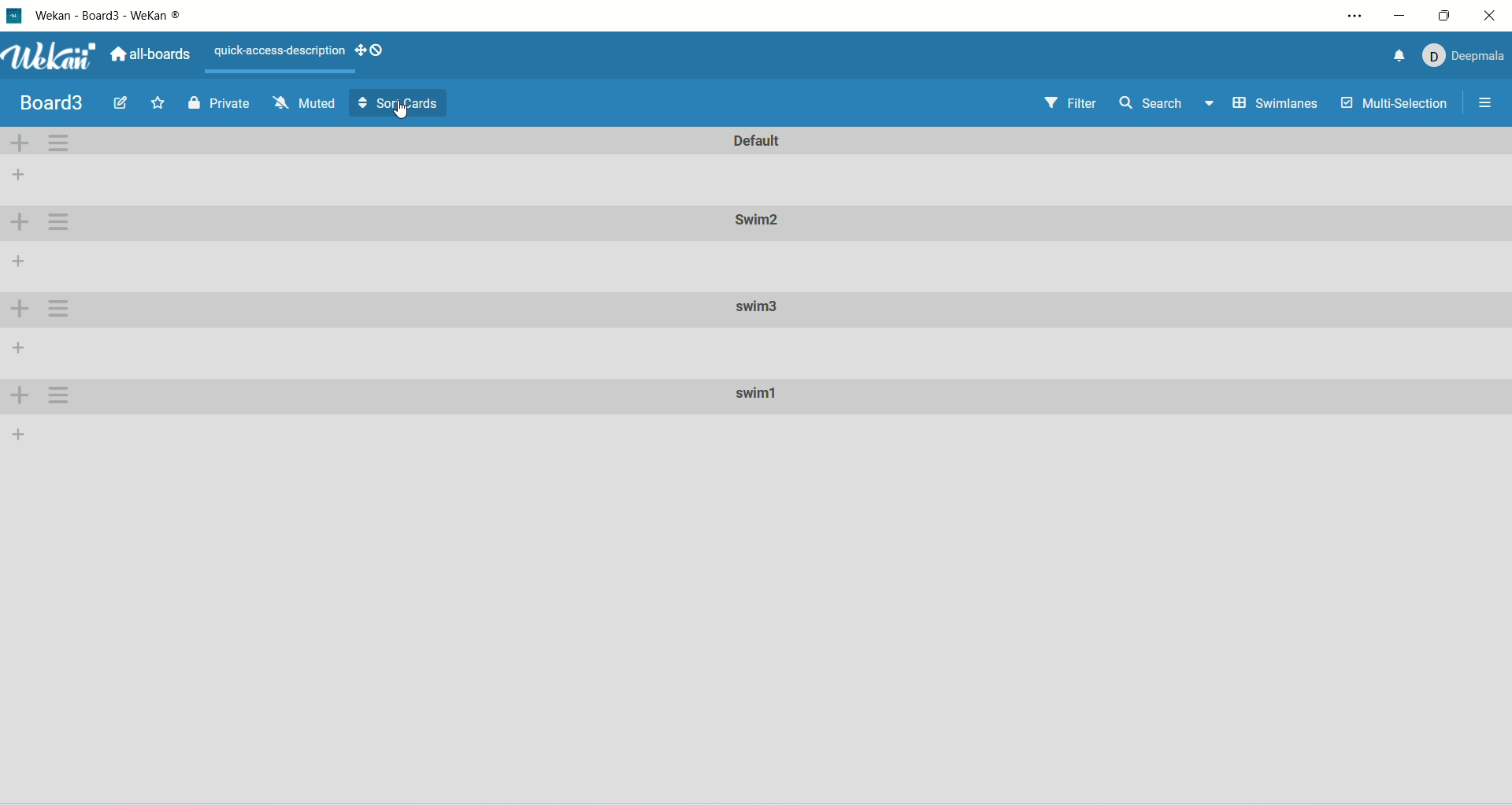 This screenshot has height=805, width=1512. I want to click on add list, so click(18, 265).